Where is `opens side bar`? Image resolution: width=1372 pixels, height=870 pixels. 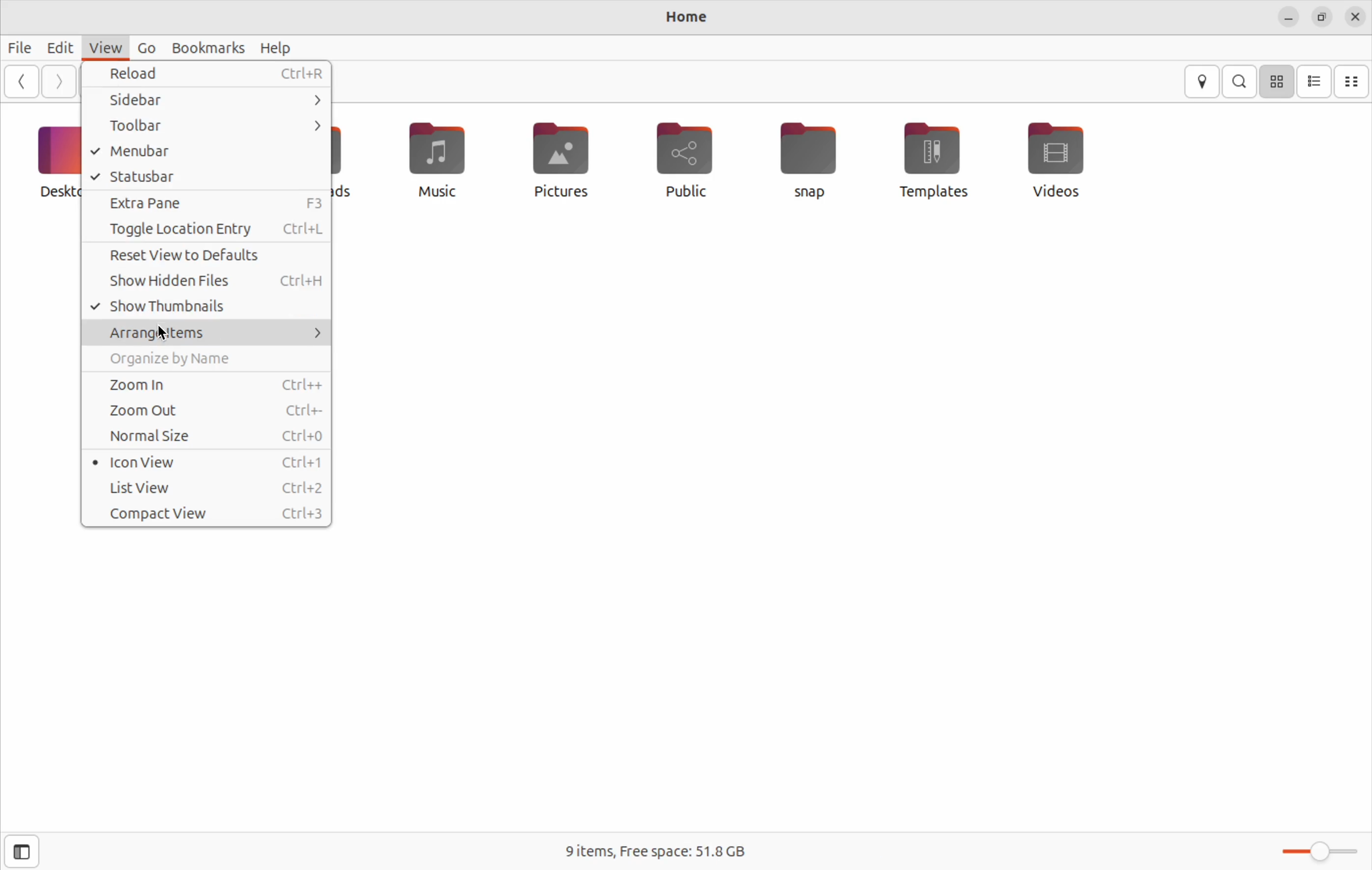
opens side bar is located at coordinates (23, 850).